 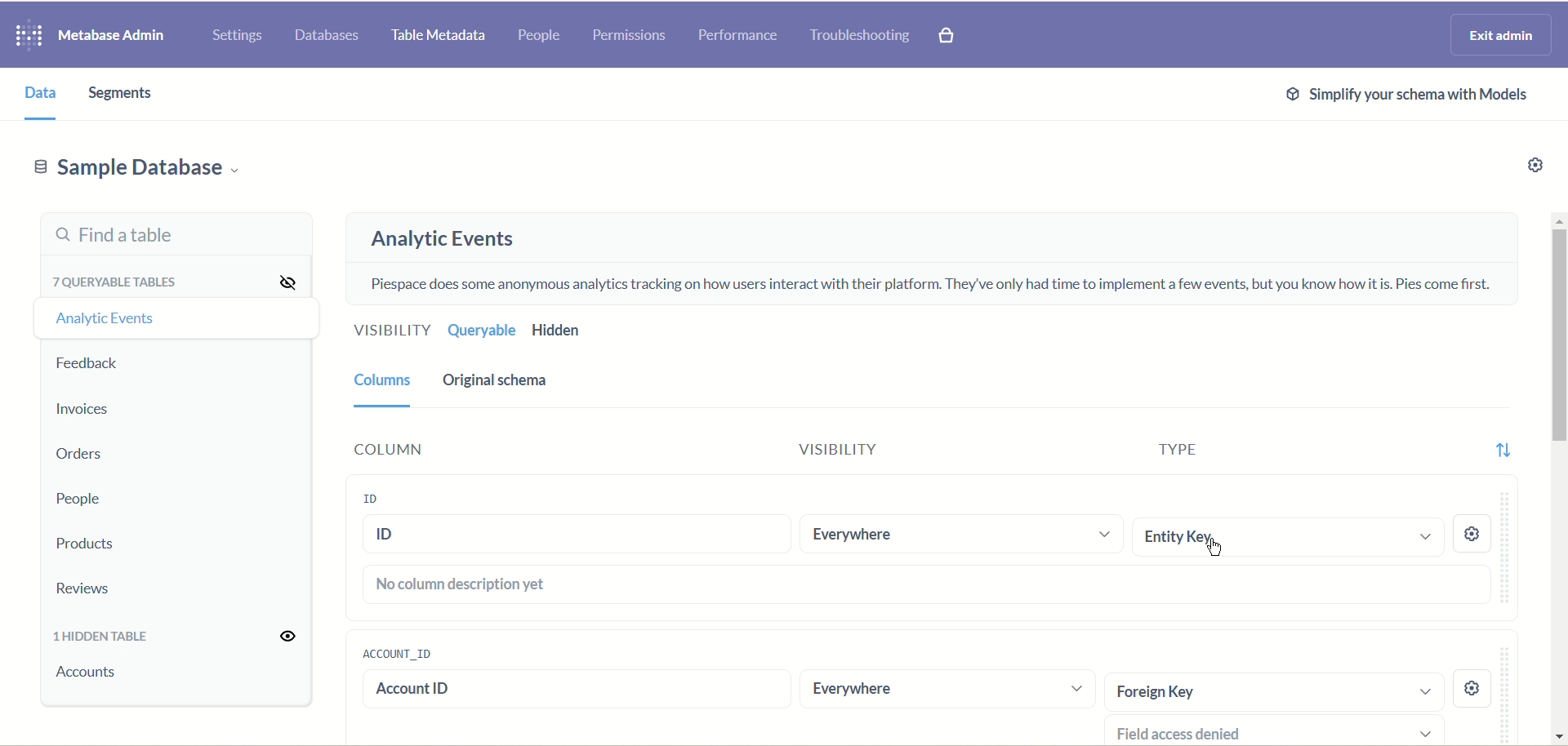 I want to click on account ID, so click(x=396, y=653).